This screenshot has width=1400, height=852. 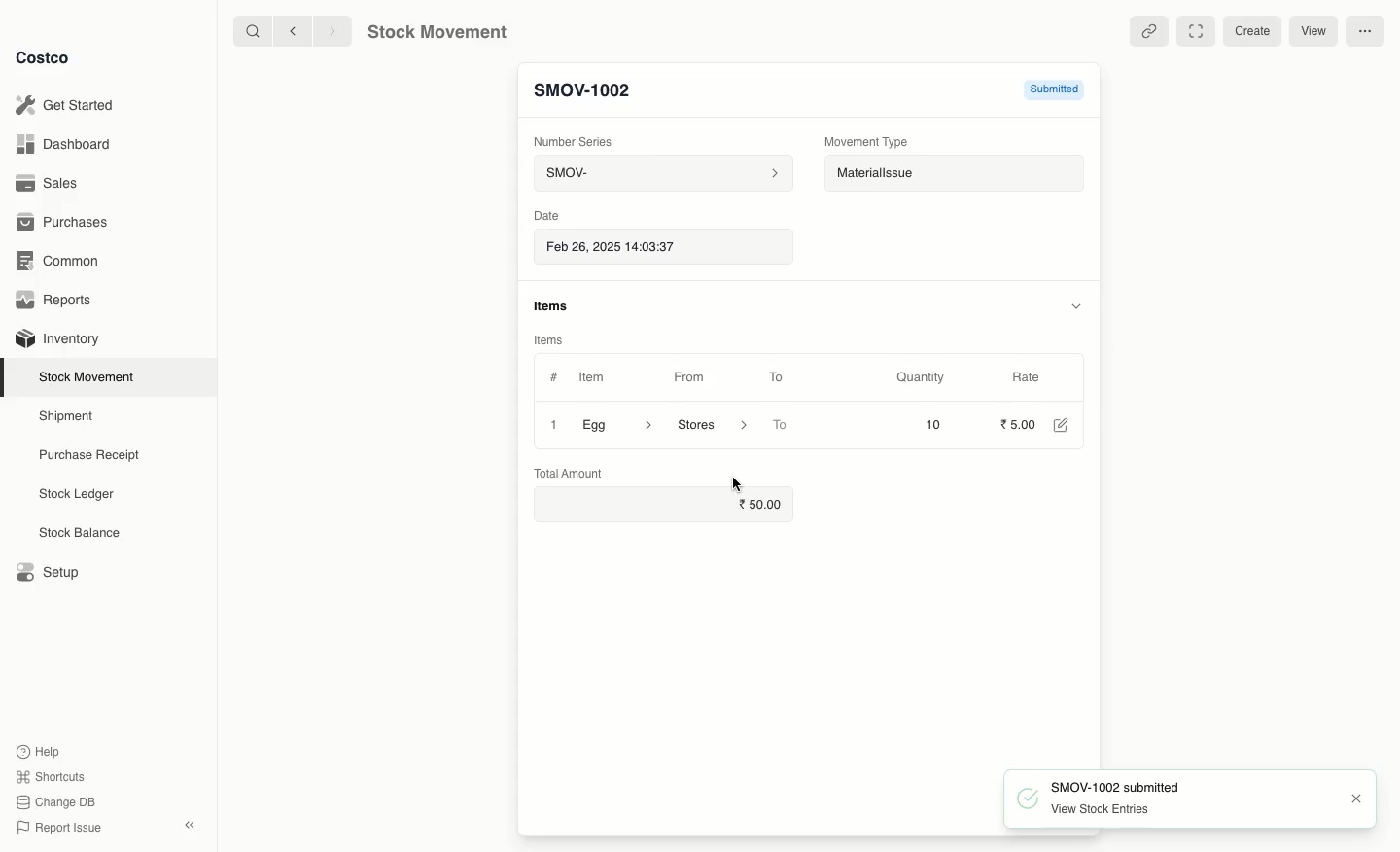 I want to click on backward, so click(x=296, y=32).